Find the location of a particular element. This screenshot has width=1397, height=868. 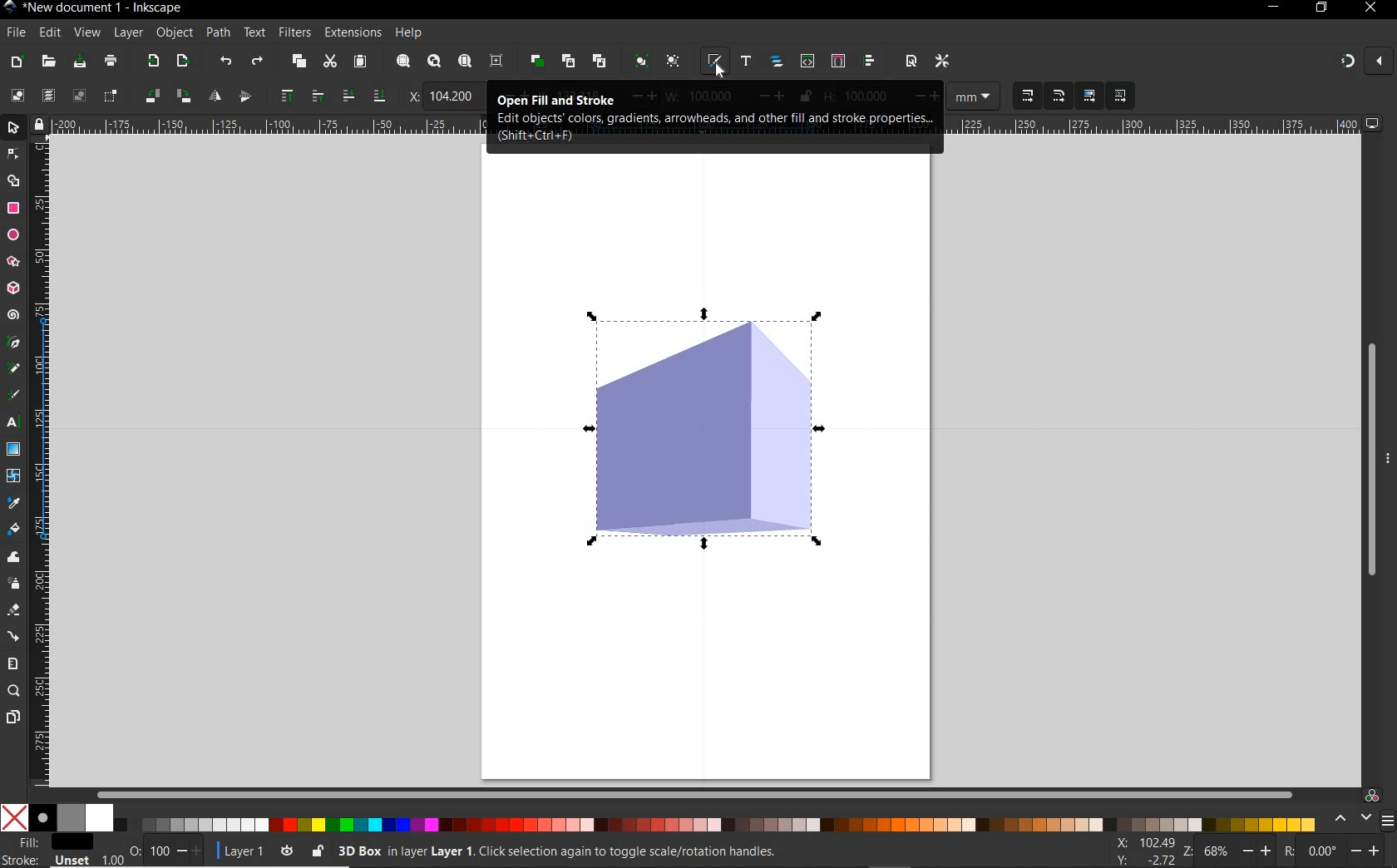

OPEN PREFERENCES is located at coordinates (942, 62).